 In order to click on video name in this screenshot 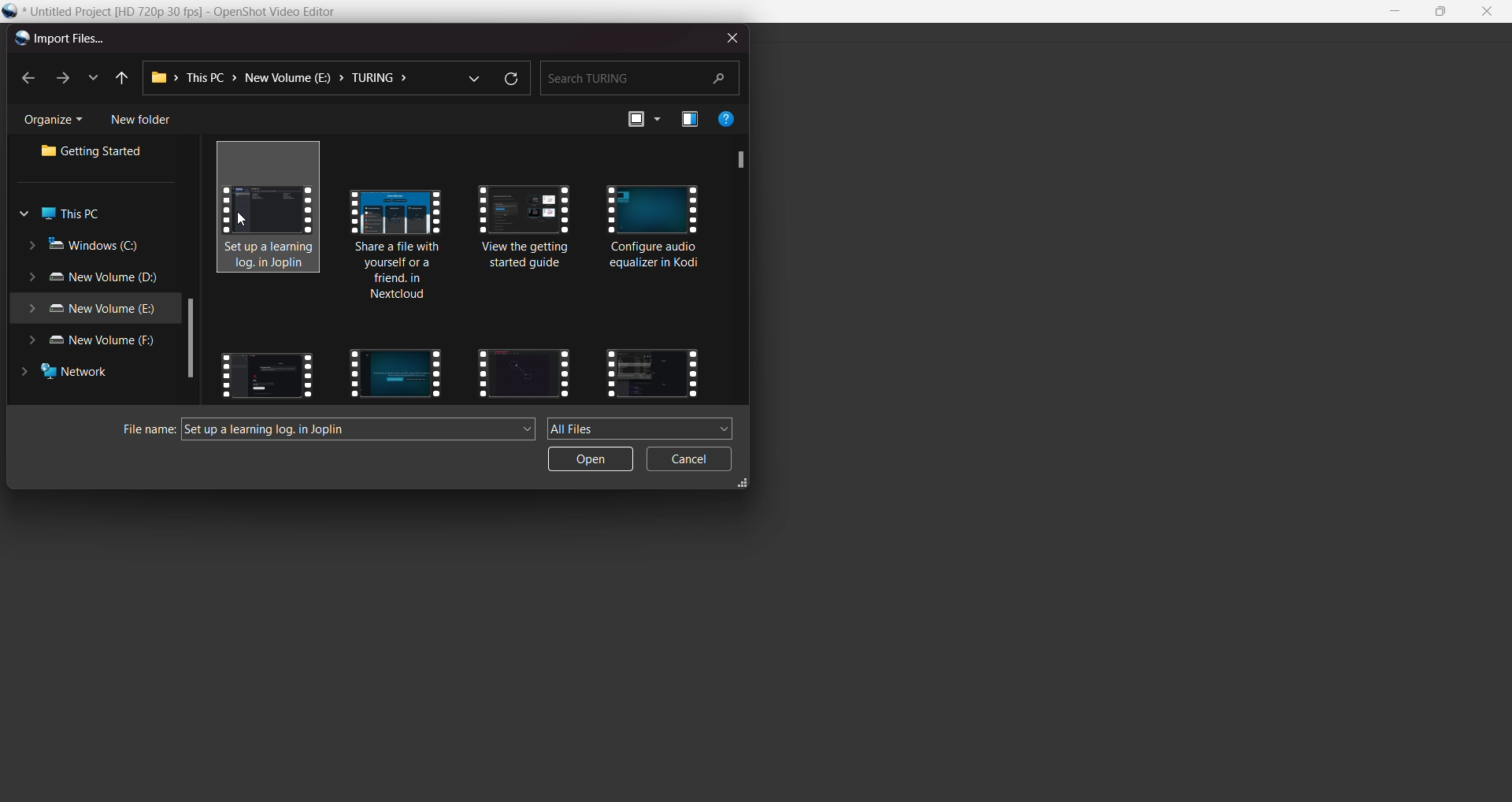, I will do `click(267, 430)`.